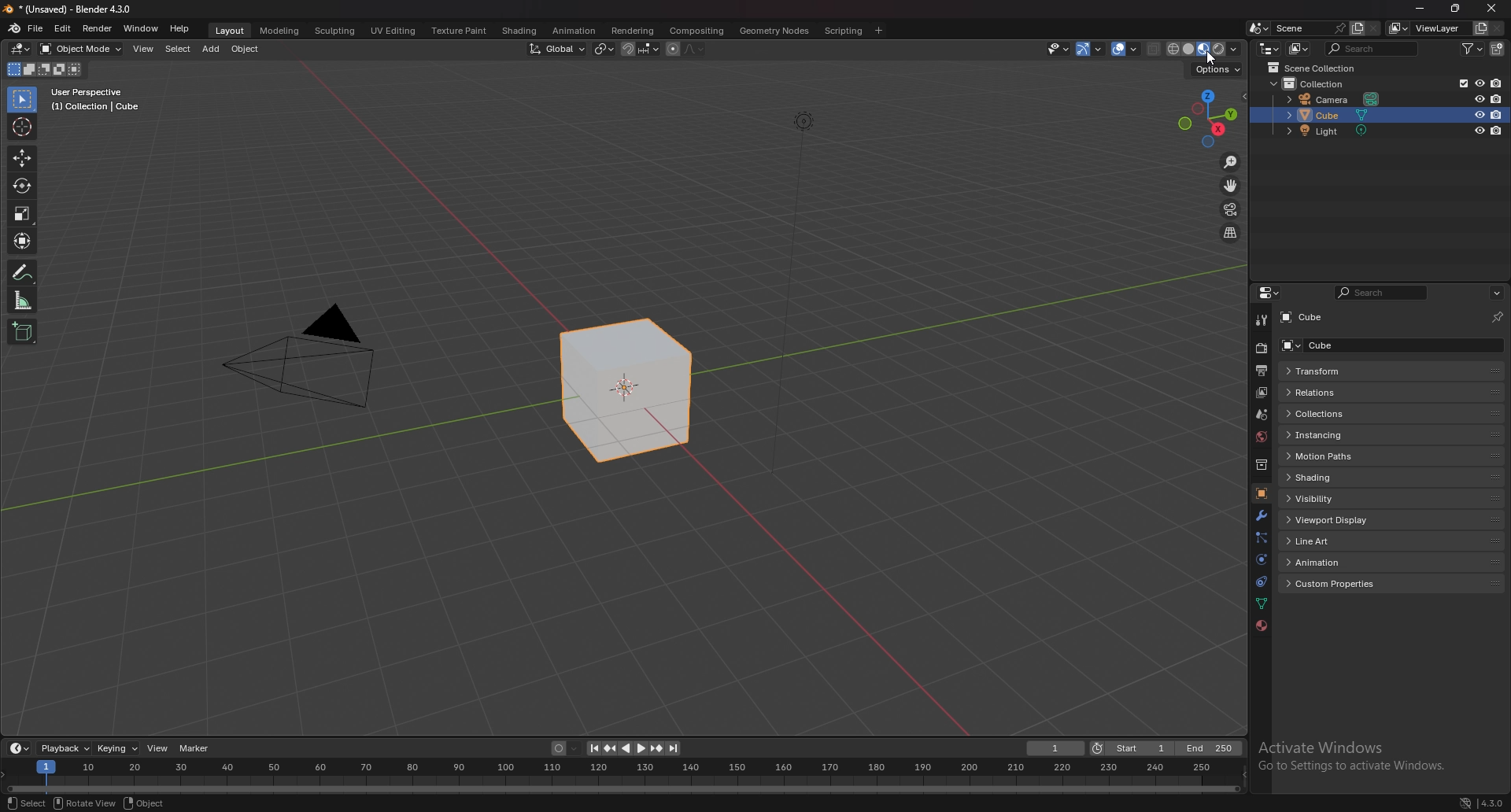  What do you see at coordinates (1261, 371) in the screenshot?
I see `output` at bounding box center [1261, 371].